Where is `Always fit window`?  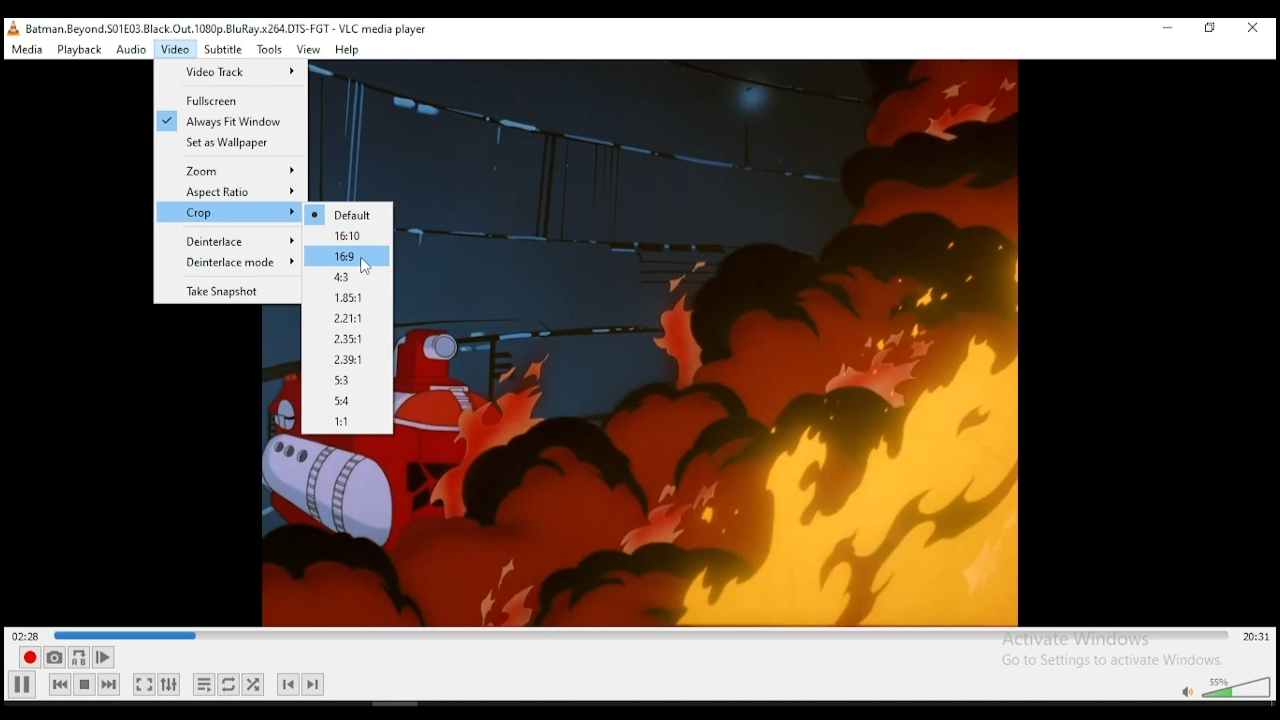 Always fit window is located at coordinates (225, 120).